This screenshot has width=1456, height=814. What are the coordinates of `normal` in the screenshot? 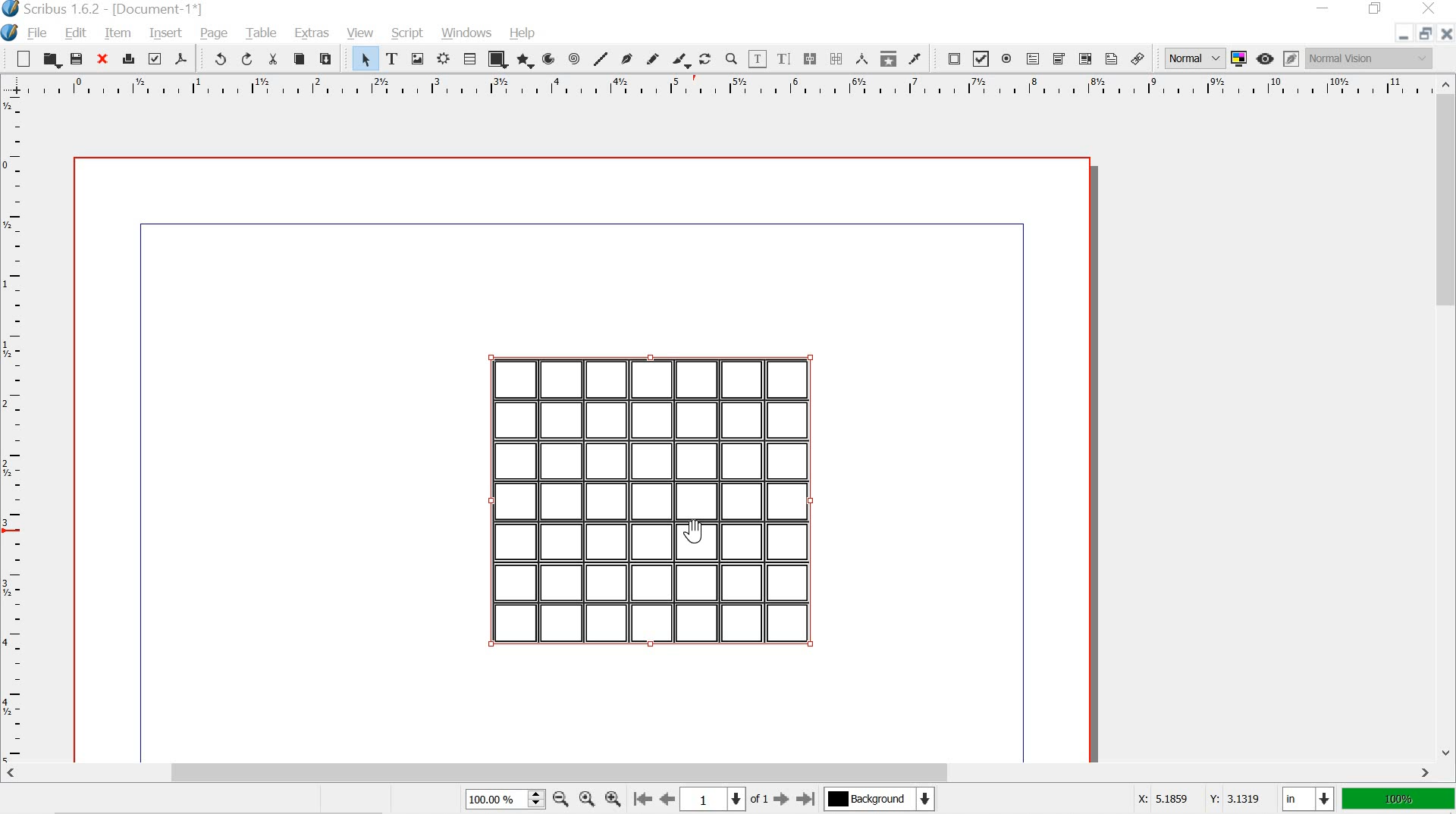 It's located at (1189, 56).